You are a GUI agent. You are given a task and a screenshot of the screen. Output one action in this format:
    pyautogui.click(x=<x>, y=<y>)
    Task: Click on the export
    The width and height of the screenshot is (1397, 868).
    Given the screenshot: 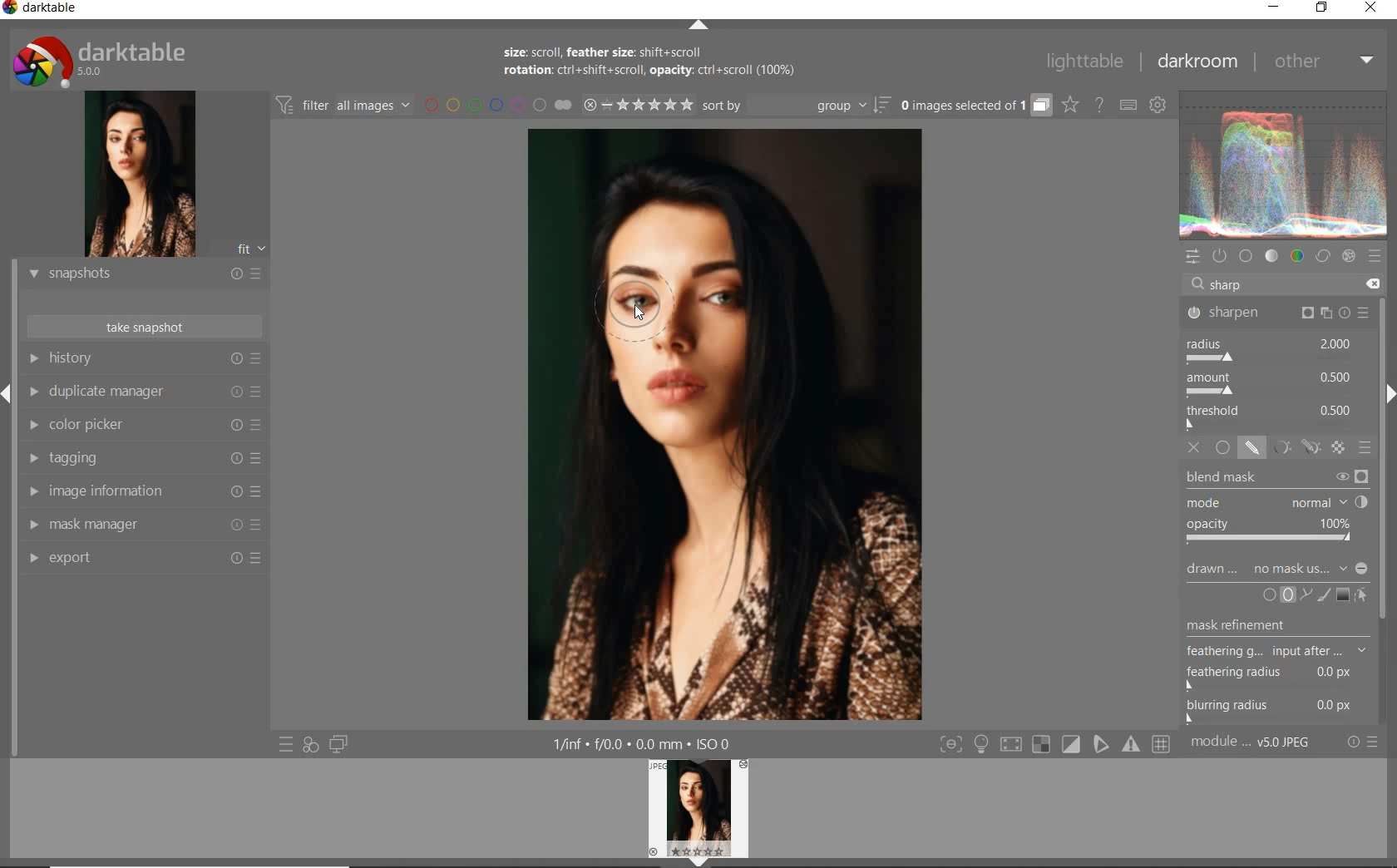 What is the action you would take?
    pyautogui.click(x=143, y=560)
    